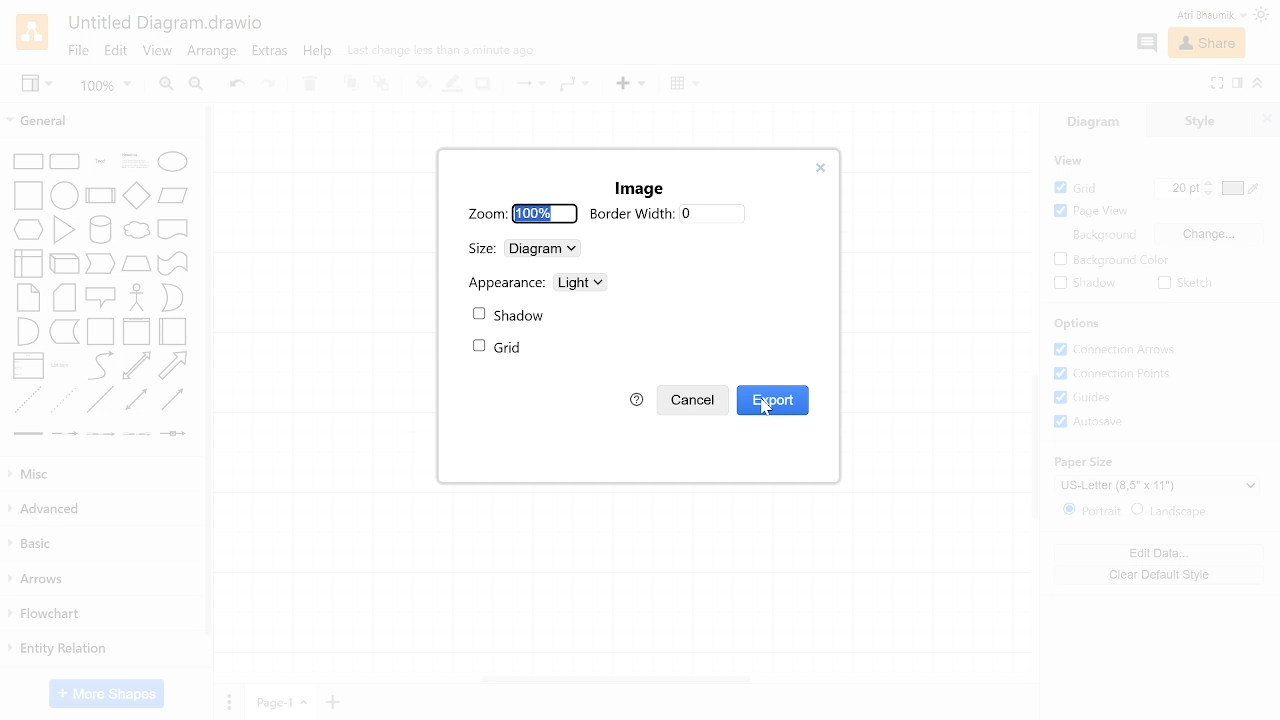  Describe the element at coordinates (1258, 84) in the screenshot. I see `Collapse` at that location.